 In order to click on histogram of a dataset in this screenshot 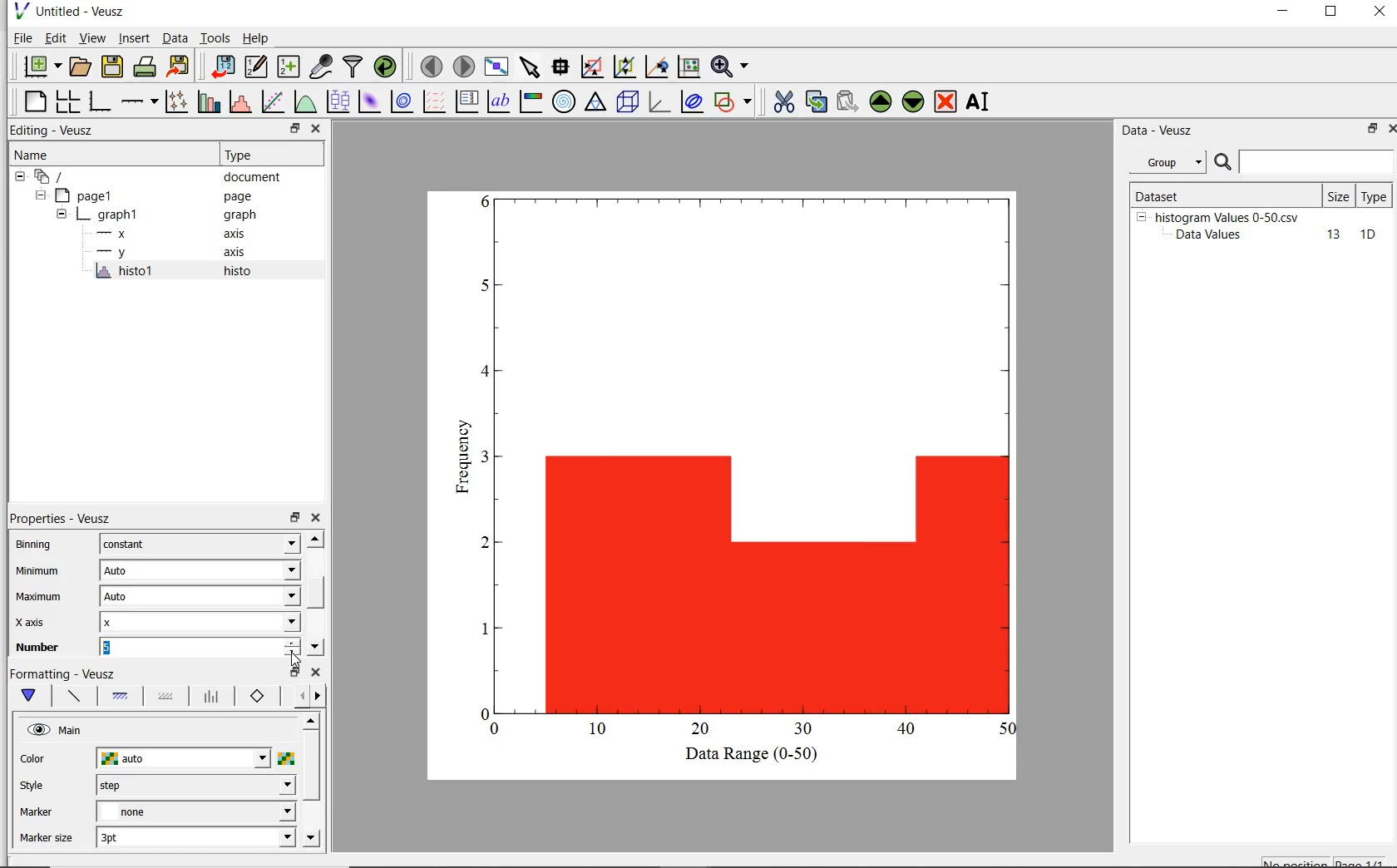, I will do `click(239, 102)`.